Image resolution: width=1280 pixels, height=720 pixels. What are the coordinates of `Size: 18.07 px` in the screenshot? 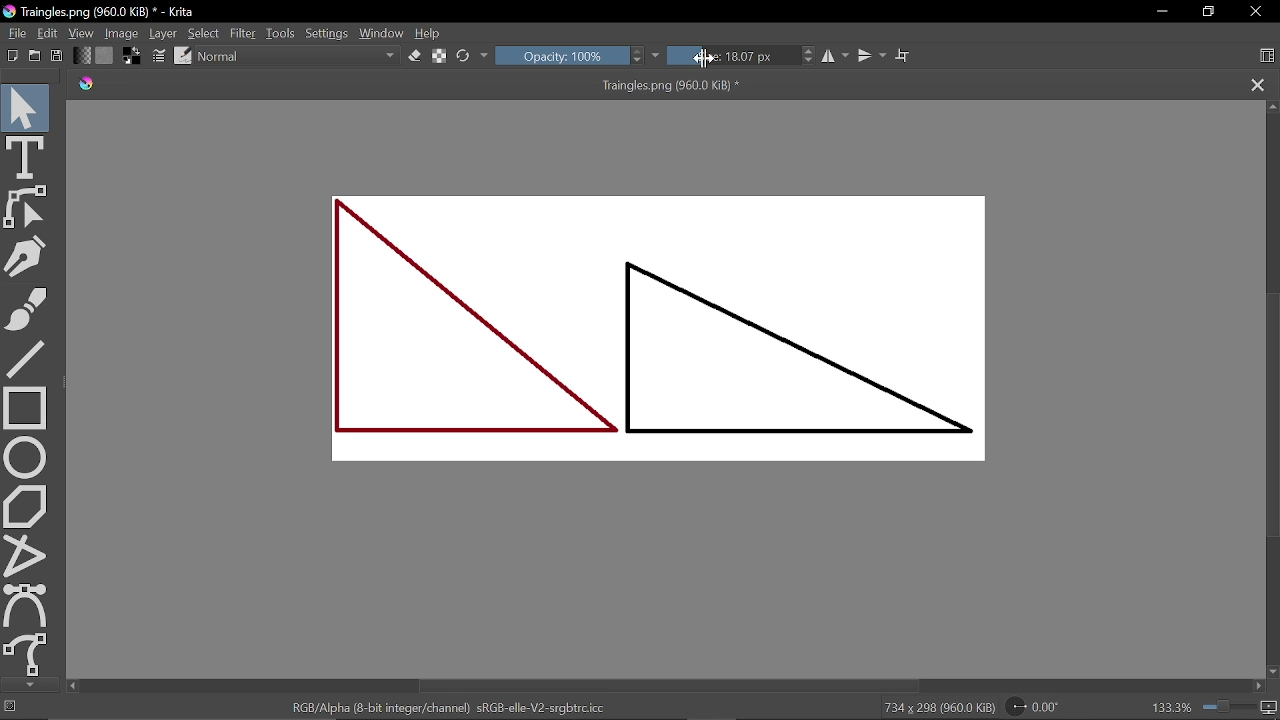 It's located at (733, 55).